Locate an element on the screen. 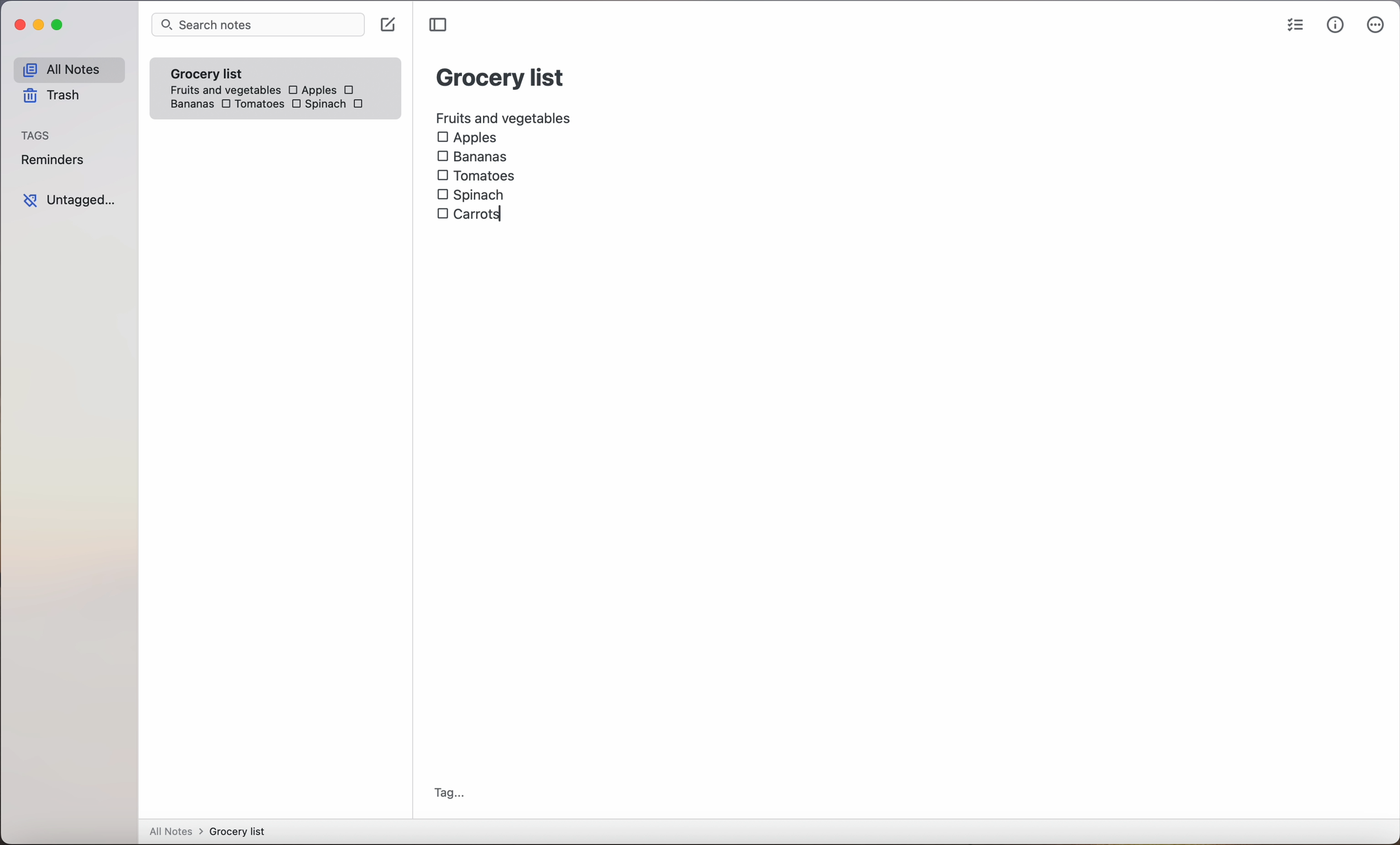  checkbox is located at coordinates (351, 90).